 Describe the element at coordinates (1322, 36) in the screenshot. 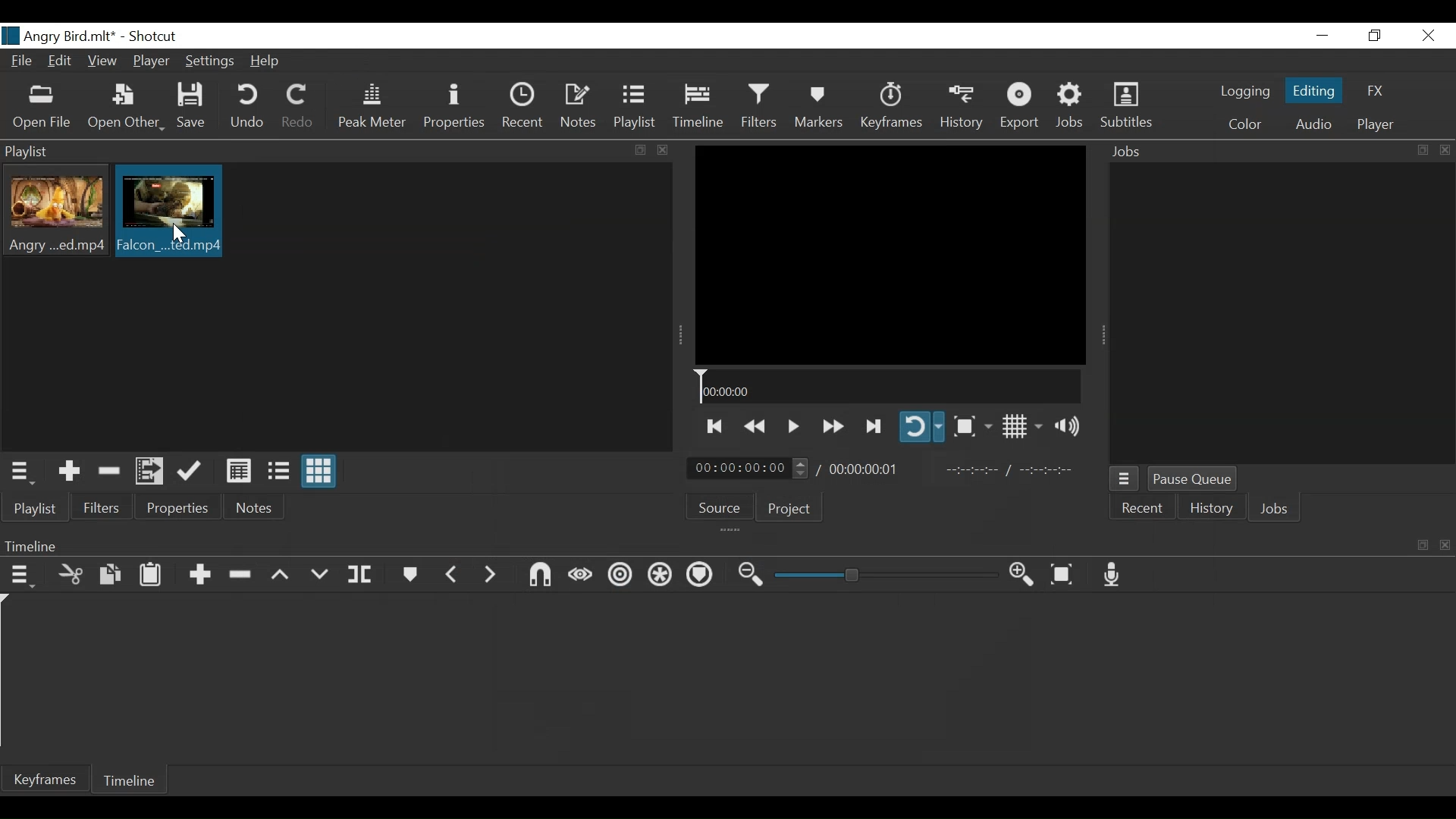

I see `minimize` at that location.